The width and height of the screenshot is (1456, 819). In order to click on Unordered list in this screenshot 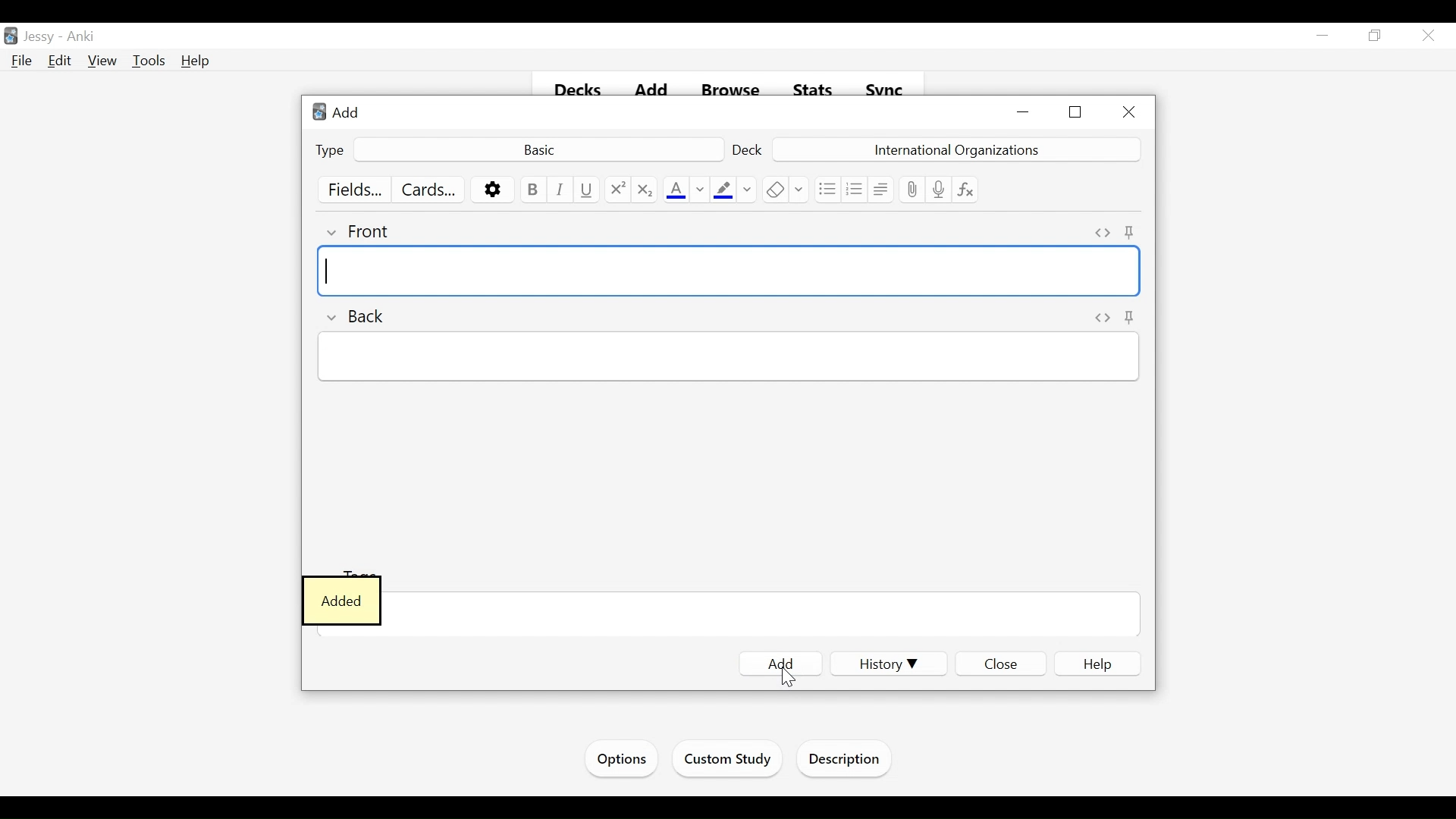, I will do `click(826, 188)`.